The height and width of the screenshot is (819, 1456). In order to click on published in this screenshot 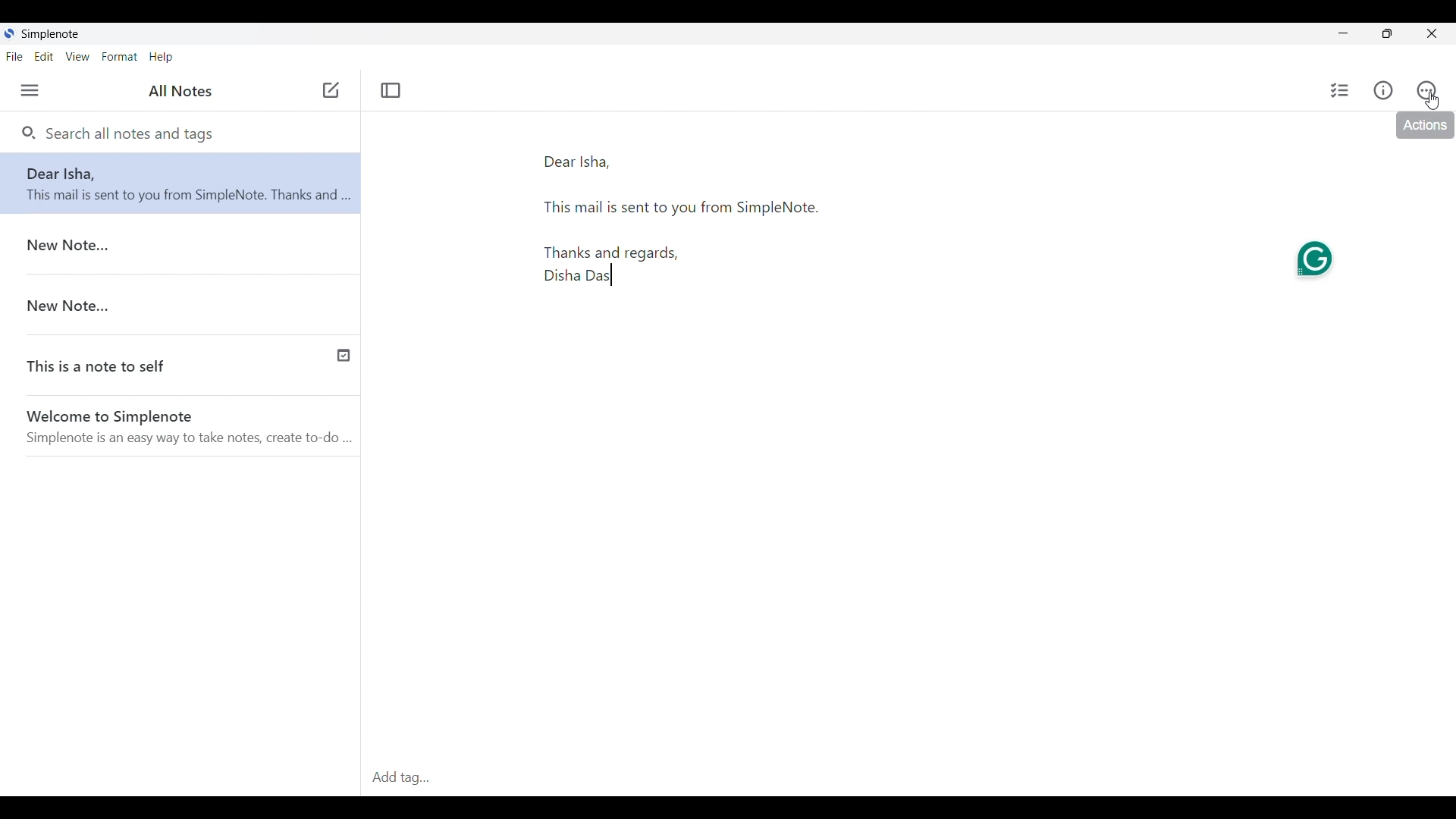, I will do `click(341, 355)`.